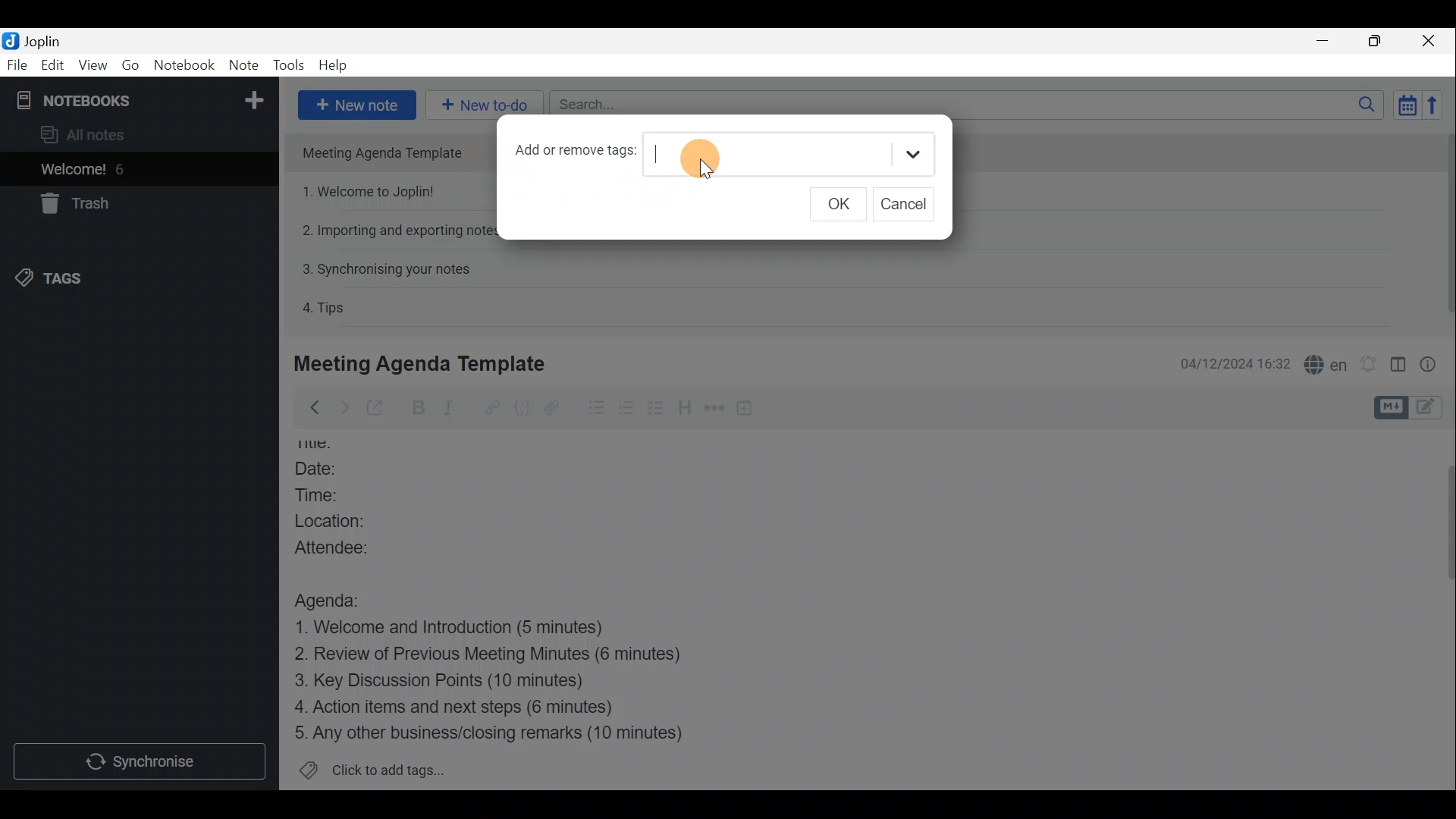 Image resolution: width=1456 pixels, height=819 pixels. Describe the element at coordinates (626, 410) in the screenshot. I see `Numbered list` at that location.